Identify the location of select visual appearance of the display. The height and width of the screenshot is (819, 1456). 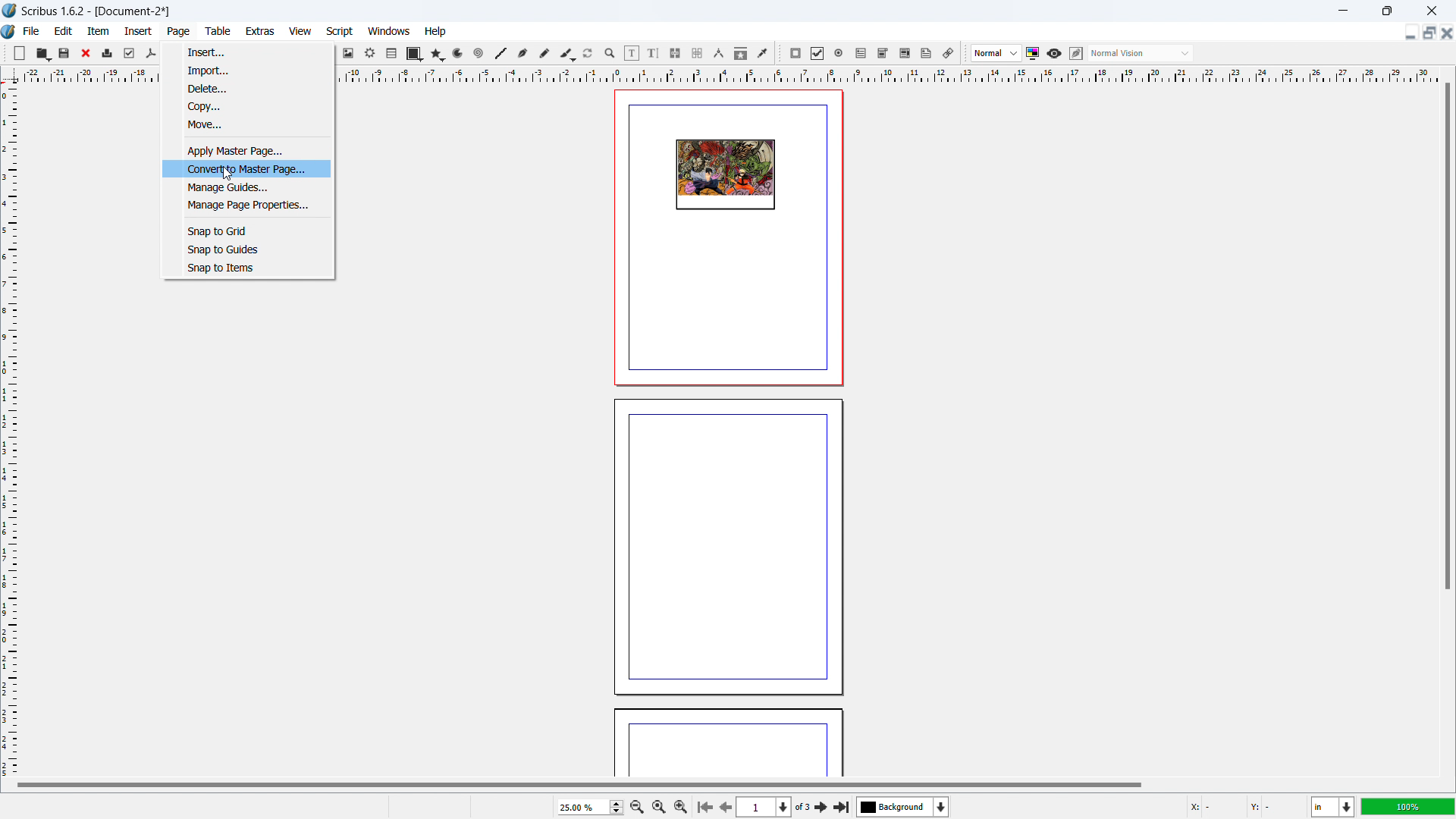
(1141, 53).